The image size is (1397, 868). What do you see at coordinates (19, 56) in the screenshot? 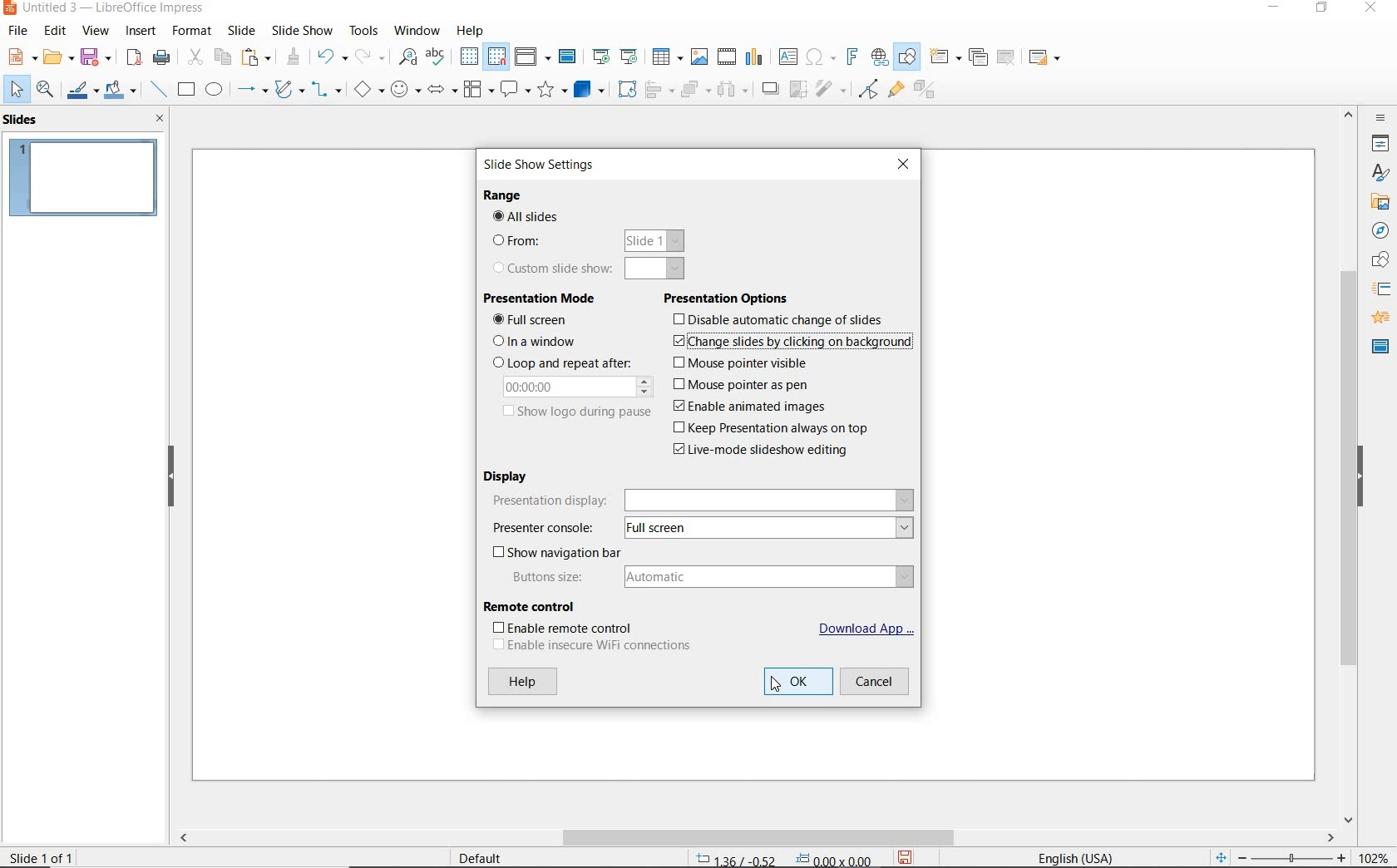
I see `NEW` at bounding box center [19, 56].